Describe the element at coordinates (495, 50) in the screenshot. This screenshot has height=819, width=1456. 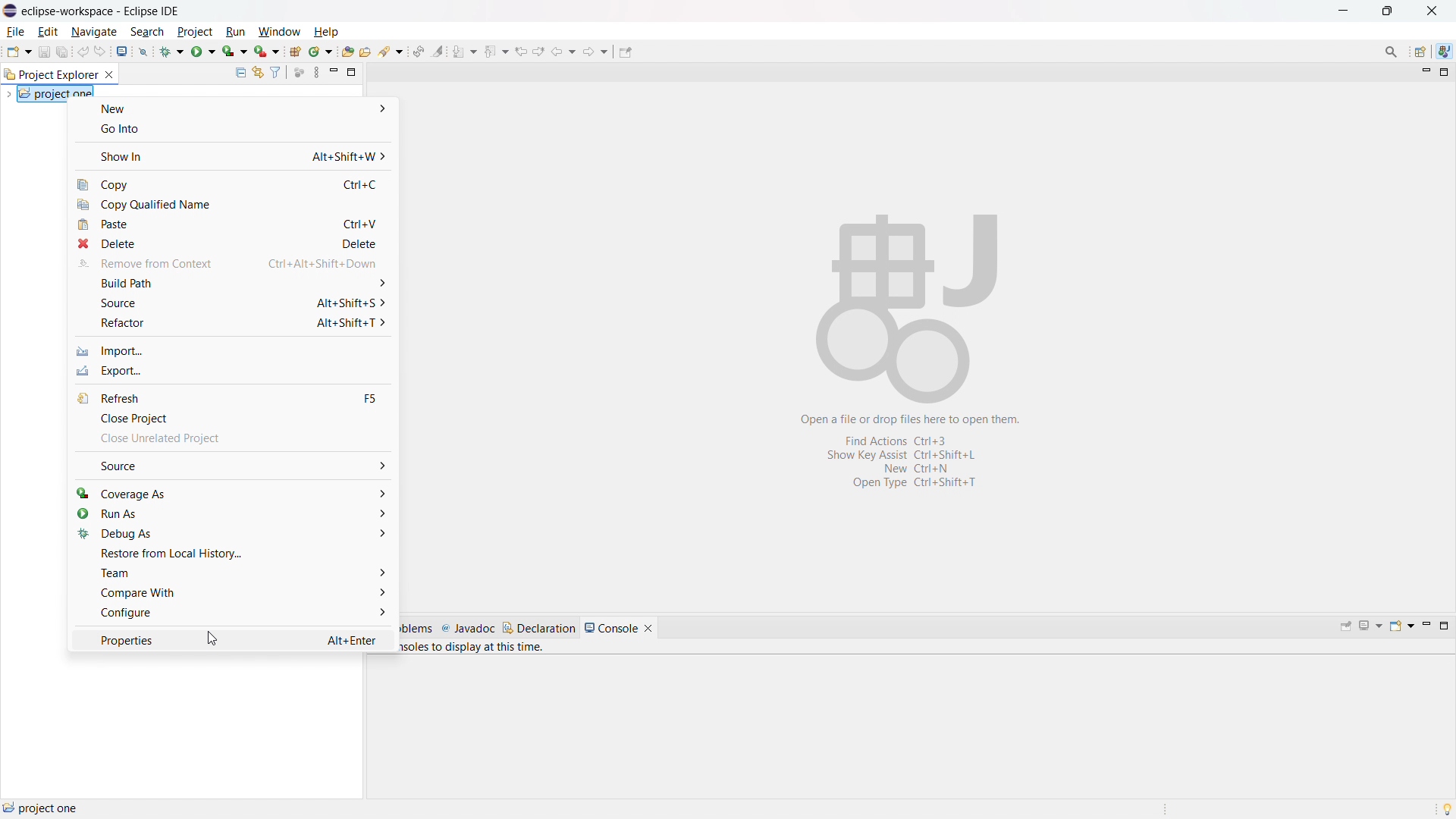
I see `previous annotation` at that location.